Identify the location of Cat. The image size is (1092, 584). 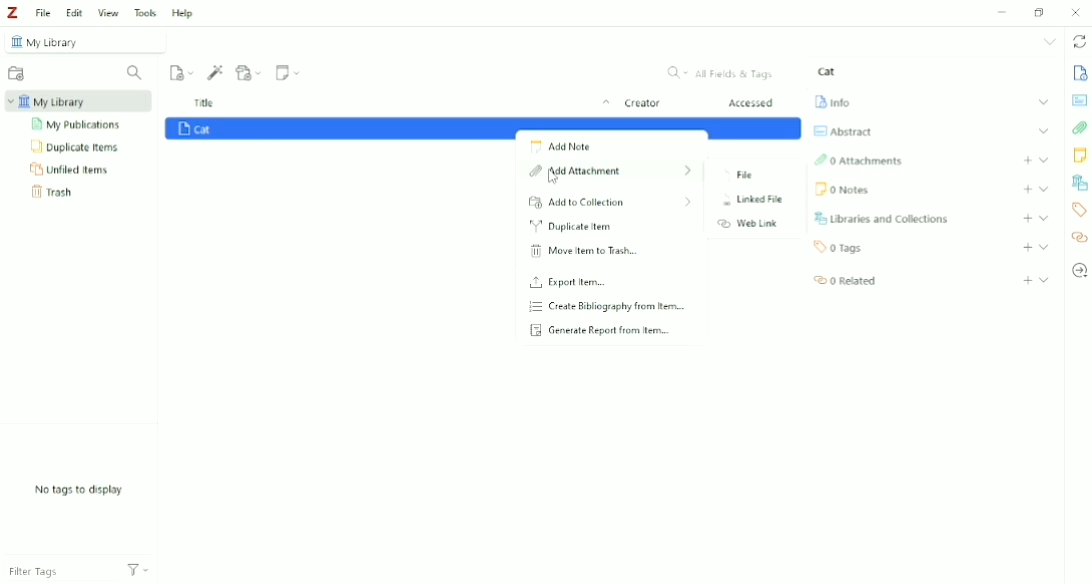
(195, 129).